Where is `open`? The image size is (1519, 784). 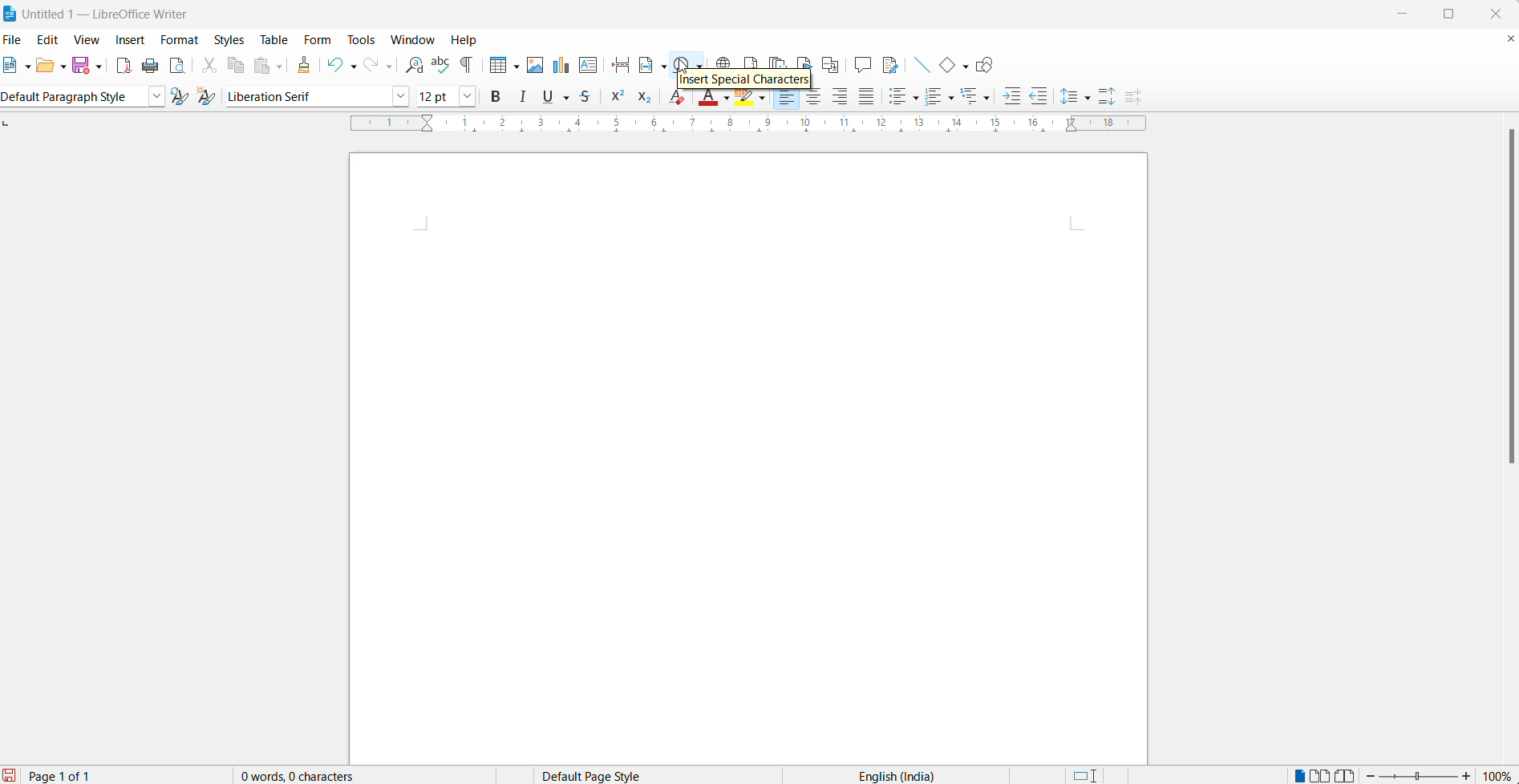
open is located at coordinates (45, 66).